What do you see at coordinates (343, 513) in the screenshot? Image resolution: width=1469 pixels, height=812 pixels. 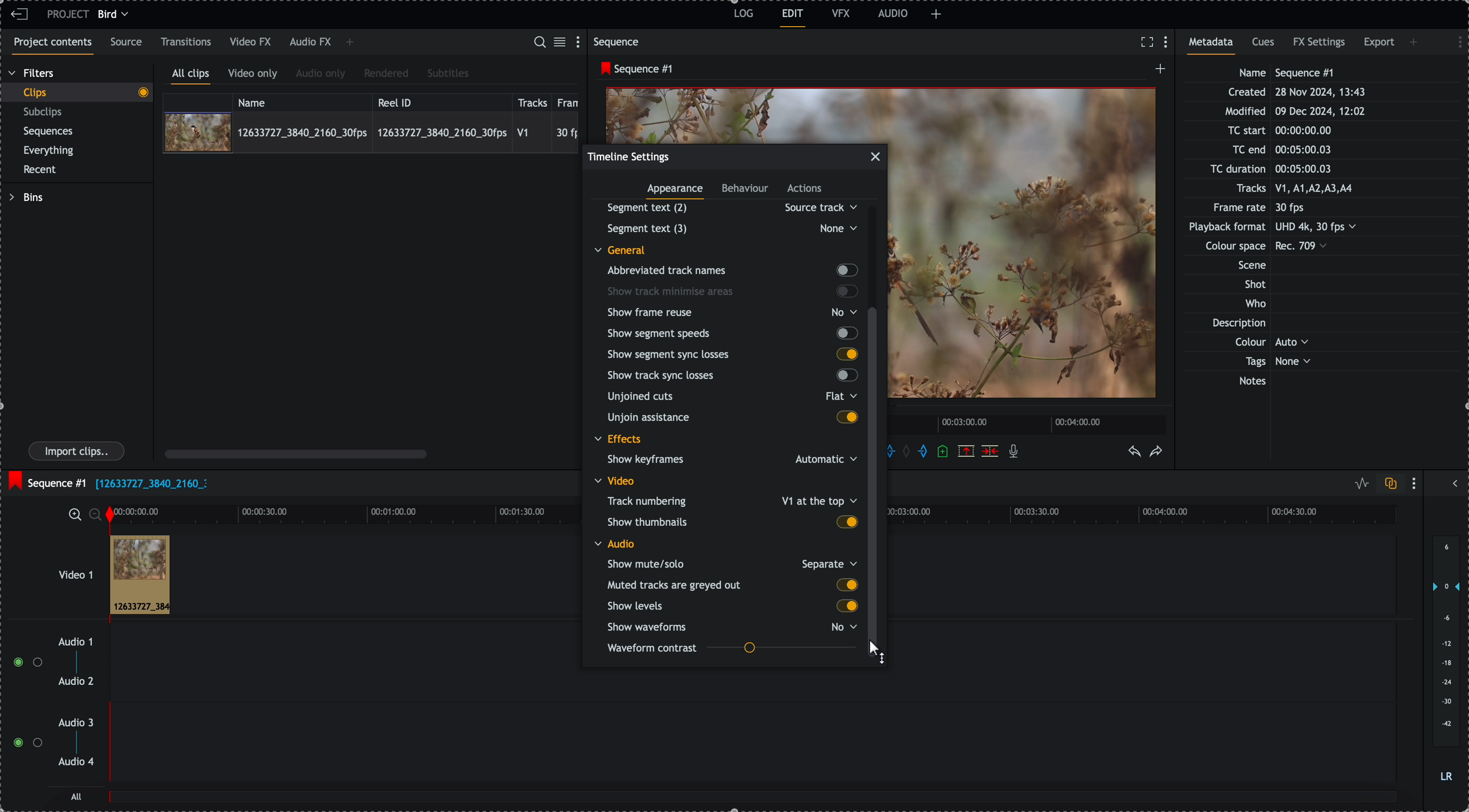 I see `timeline` at bounding box center [343, 513].